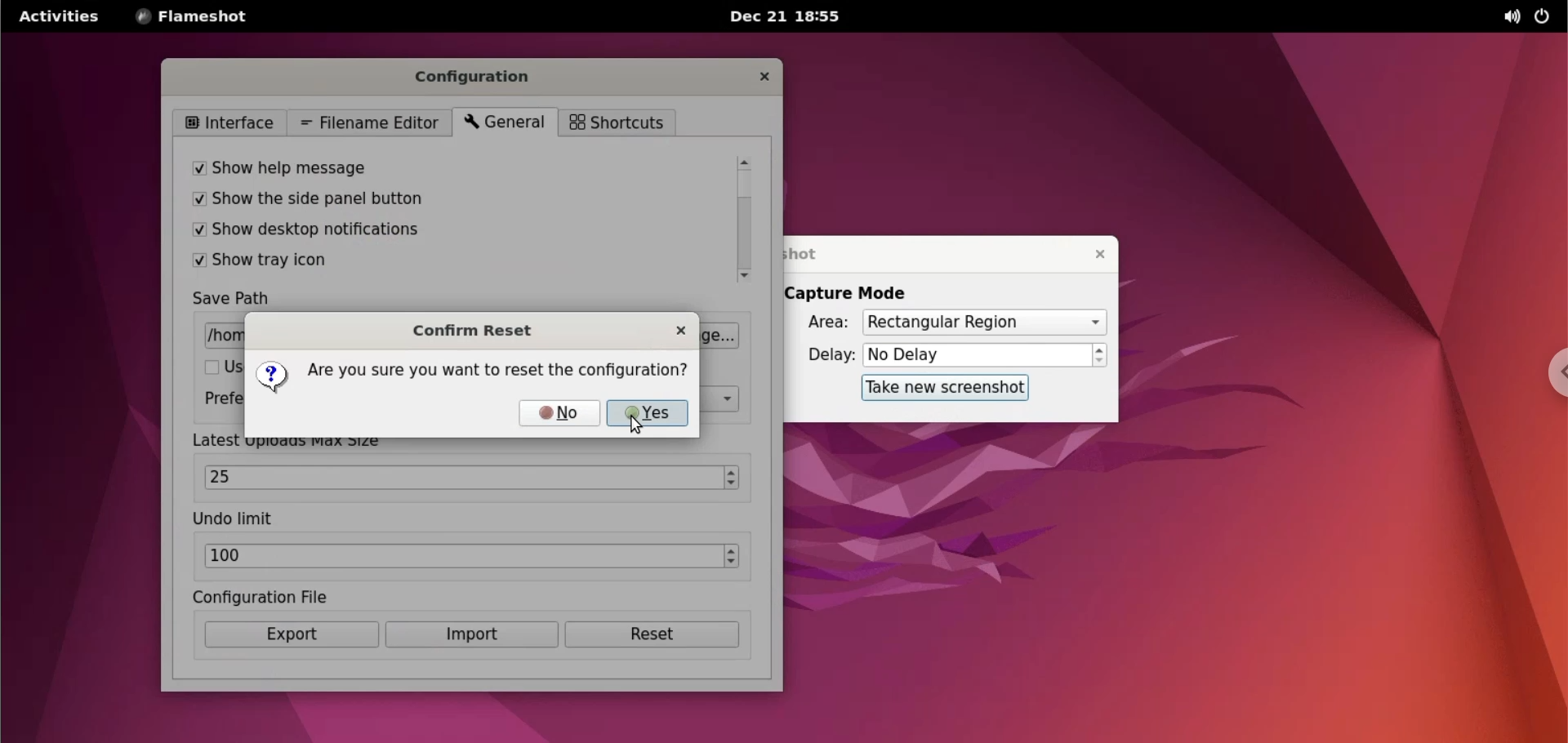 This screenshot has height=743, width=1568. I want to click on configuration file, so click(288, 595).